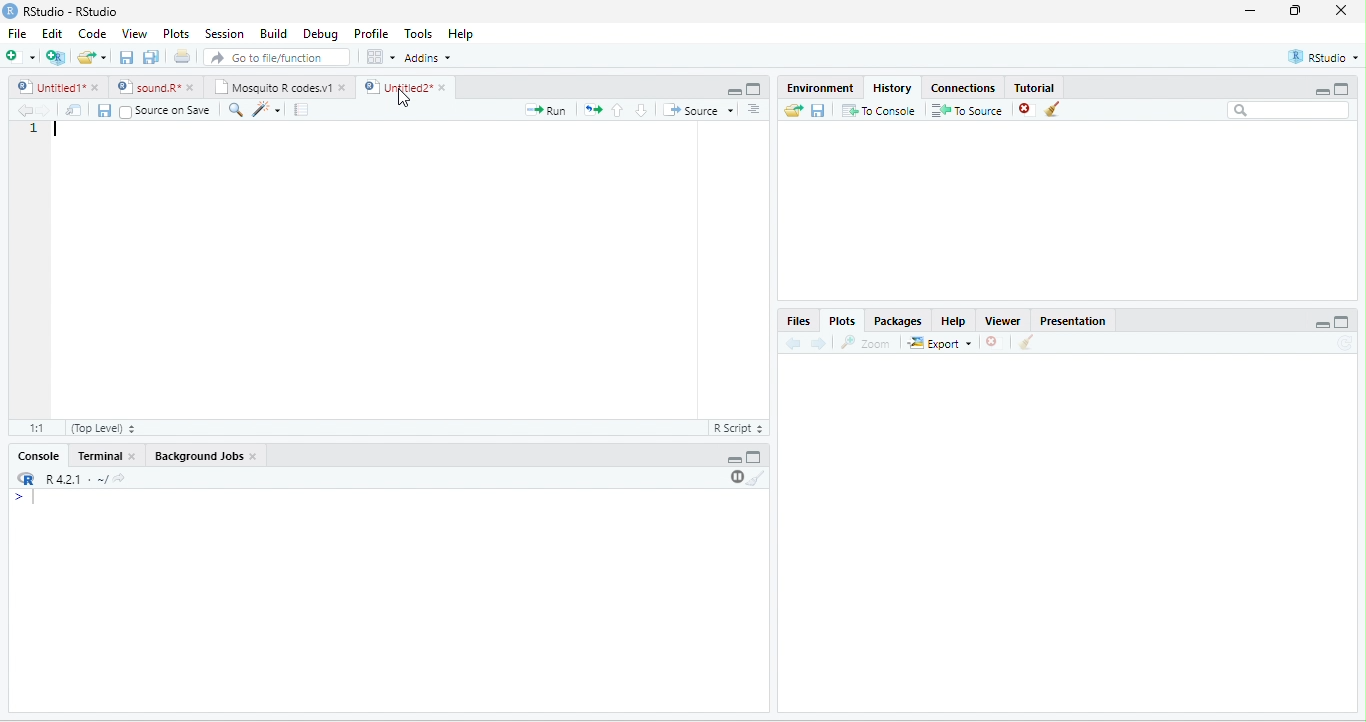 This screenshot has width=1366, height=722. I want to click on forward, so click(818, 344).